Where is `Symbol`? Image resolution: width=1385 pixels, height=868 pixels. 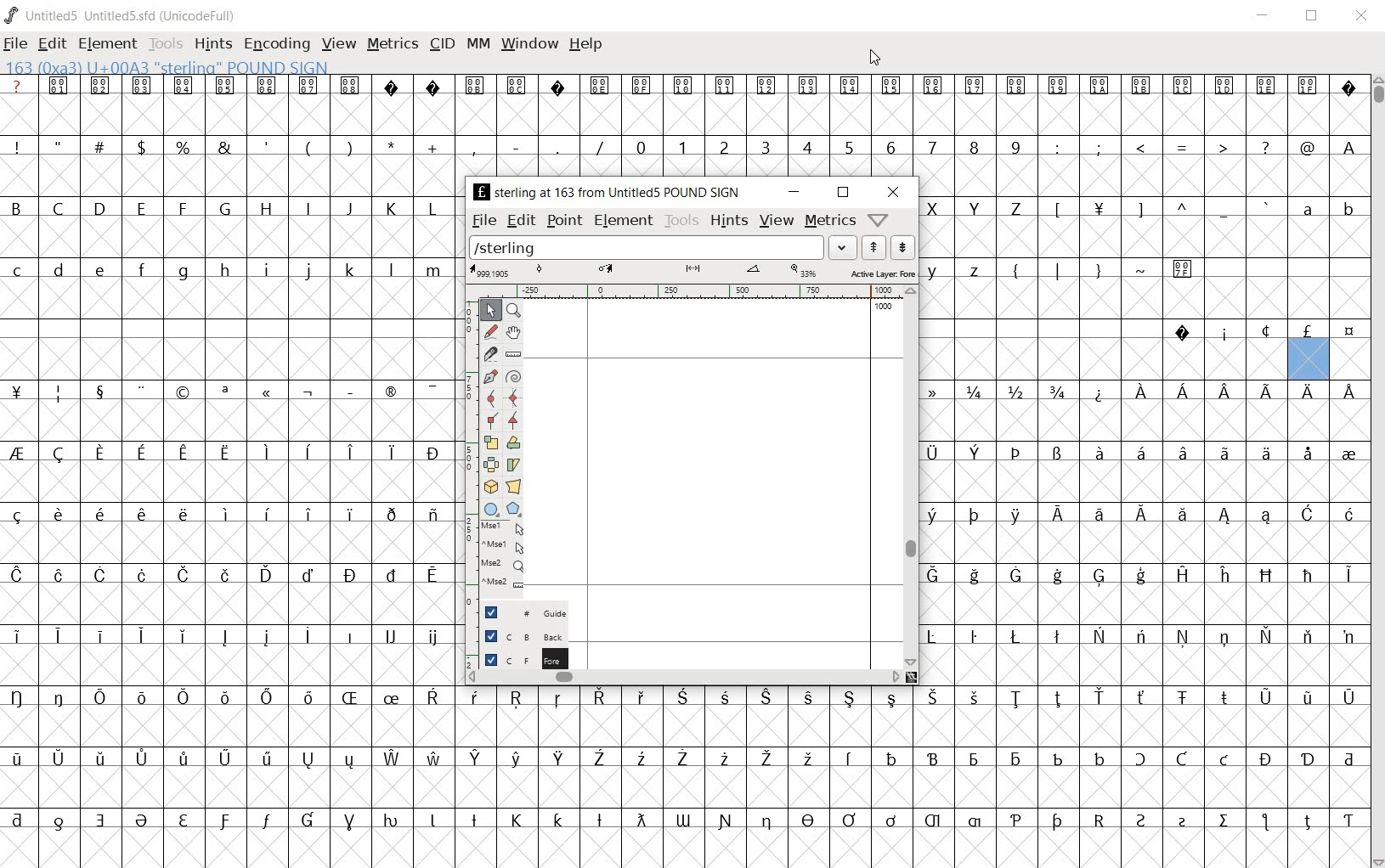 Symbol is located at coordinates (1307, 697).